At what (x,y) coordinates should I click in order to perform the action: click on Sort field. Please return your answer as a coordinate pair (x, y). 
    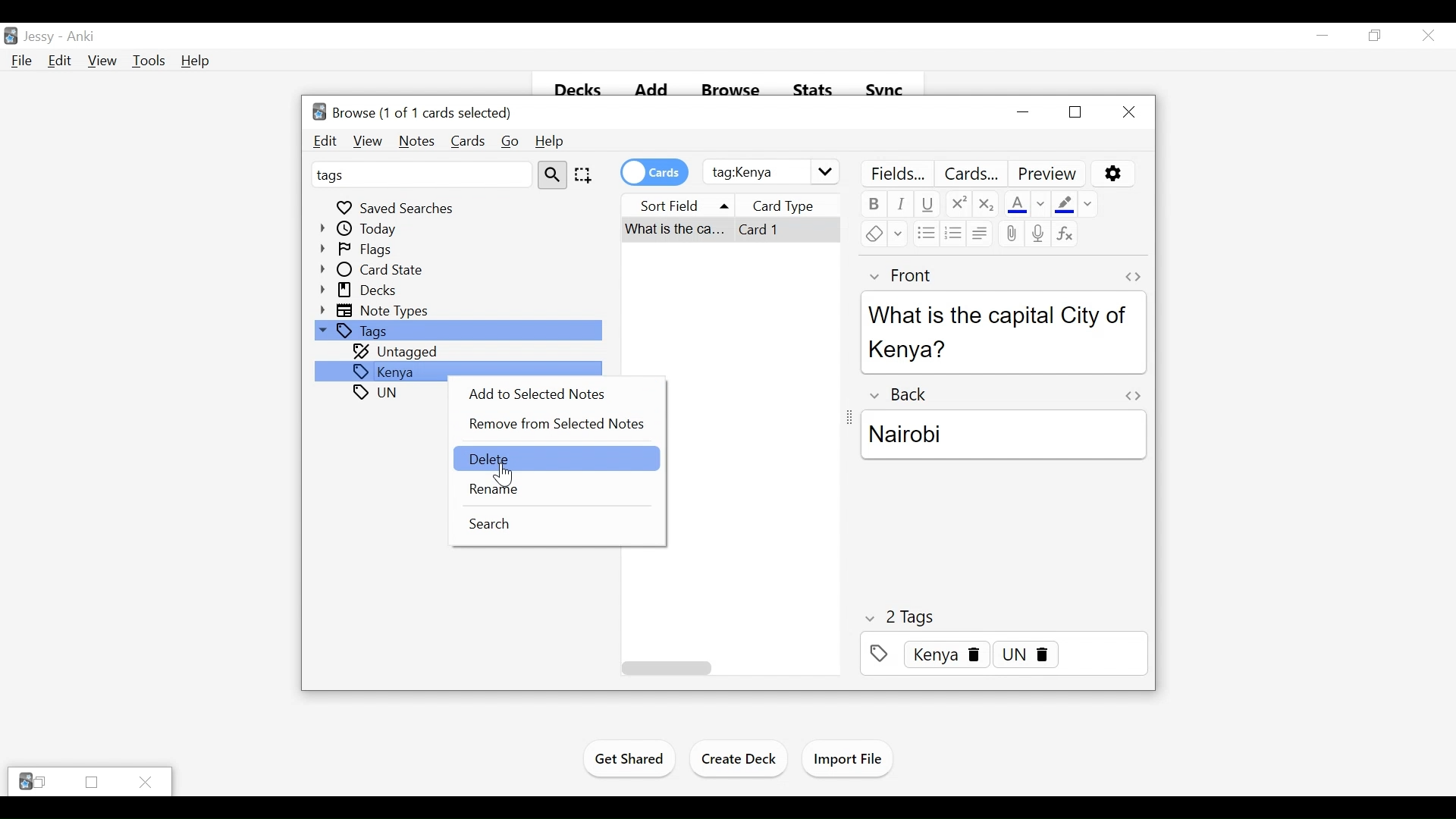
    Looking at the image, I should click on (681, 203).